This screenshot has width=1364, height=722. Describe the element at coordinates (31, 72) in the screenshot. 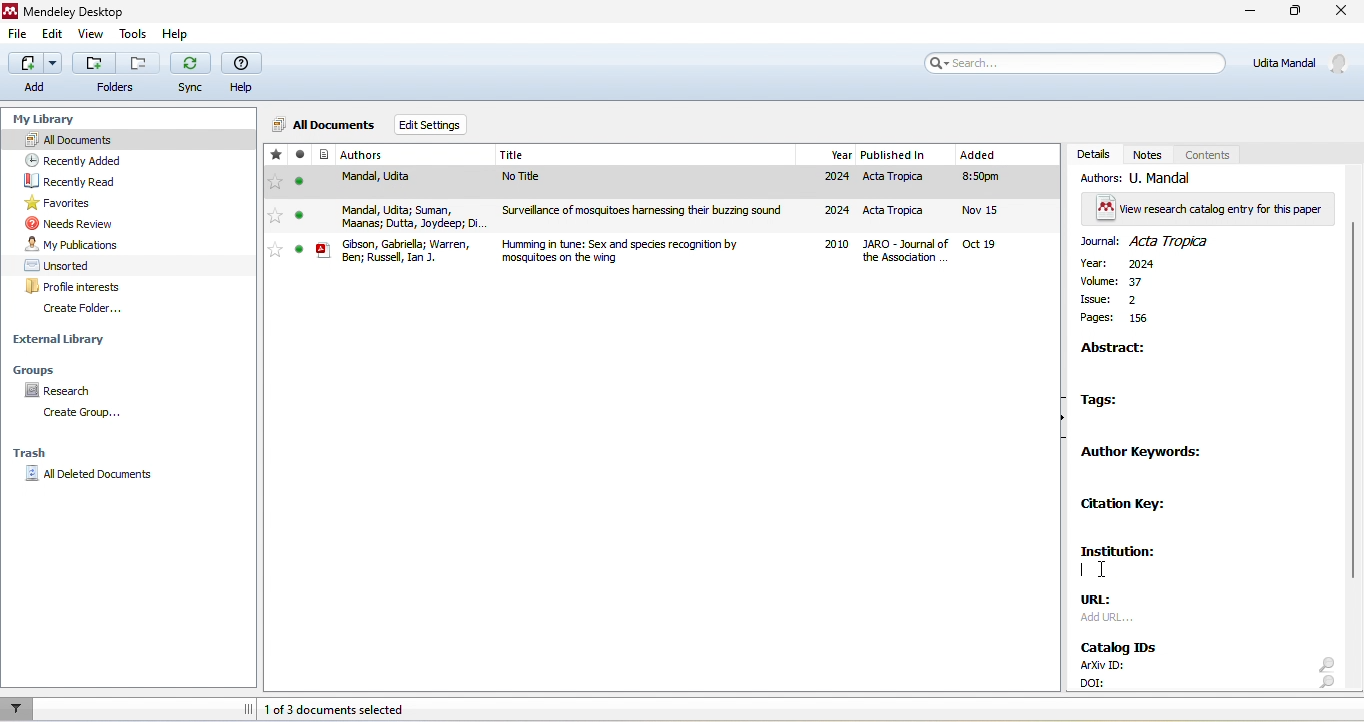

I see `add` at that location.